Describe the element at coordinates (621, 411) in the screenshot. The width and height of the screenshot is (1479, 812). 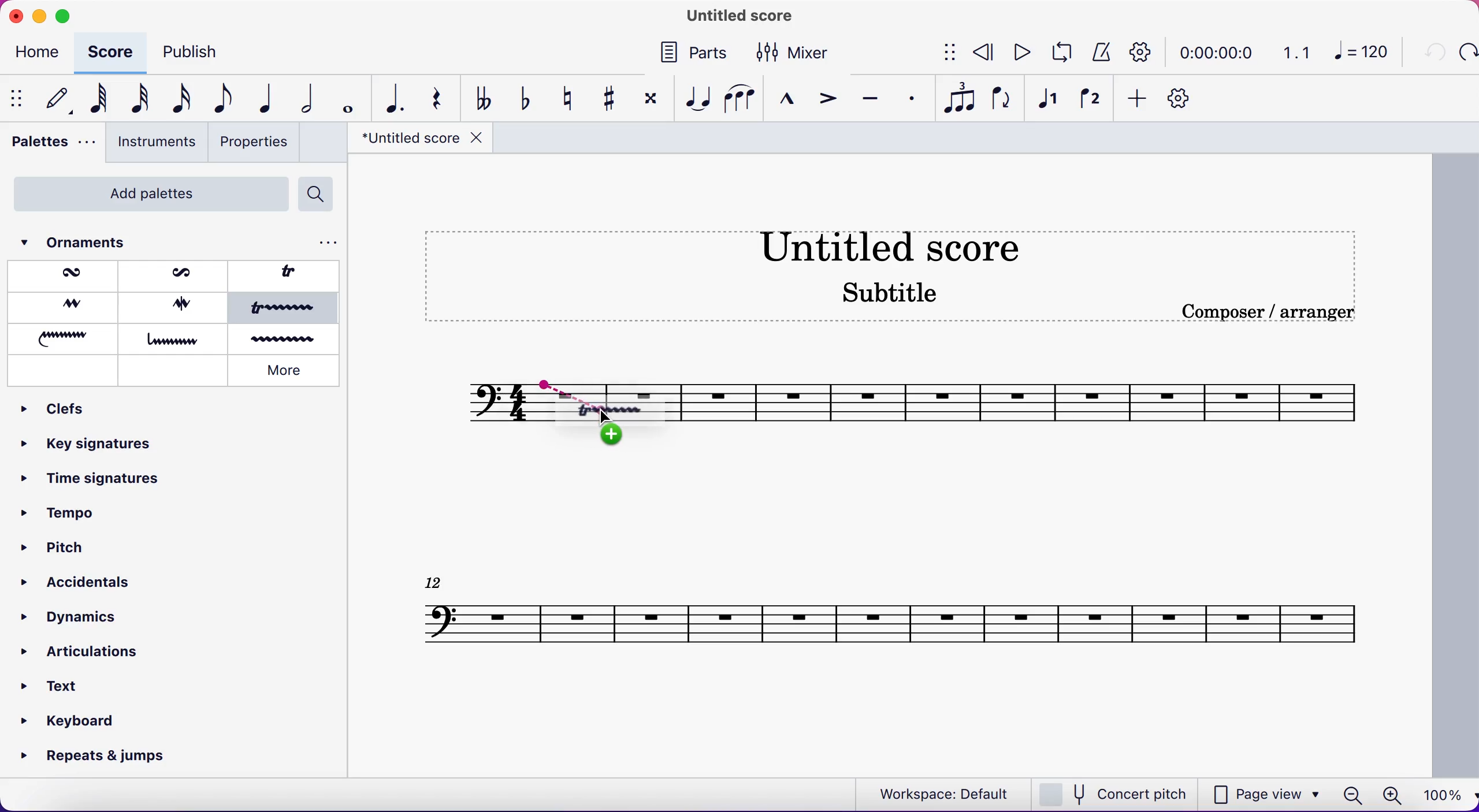
I see `trill line added` at that location.